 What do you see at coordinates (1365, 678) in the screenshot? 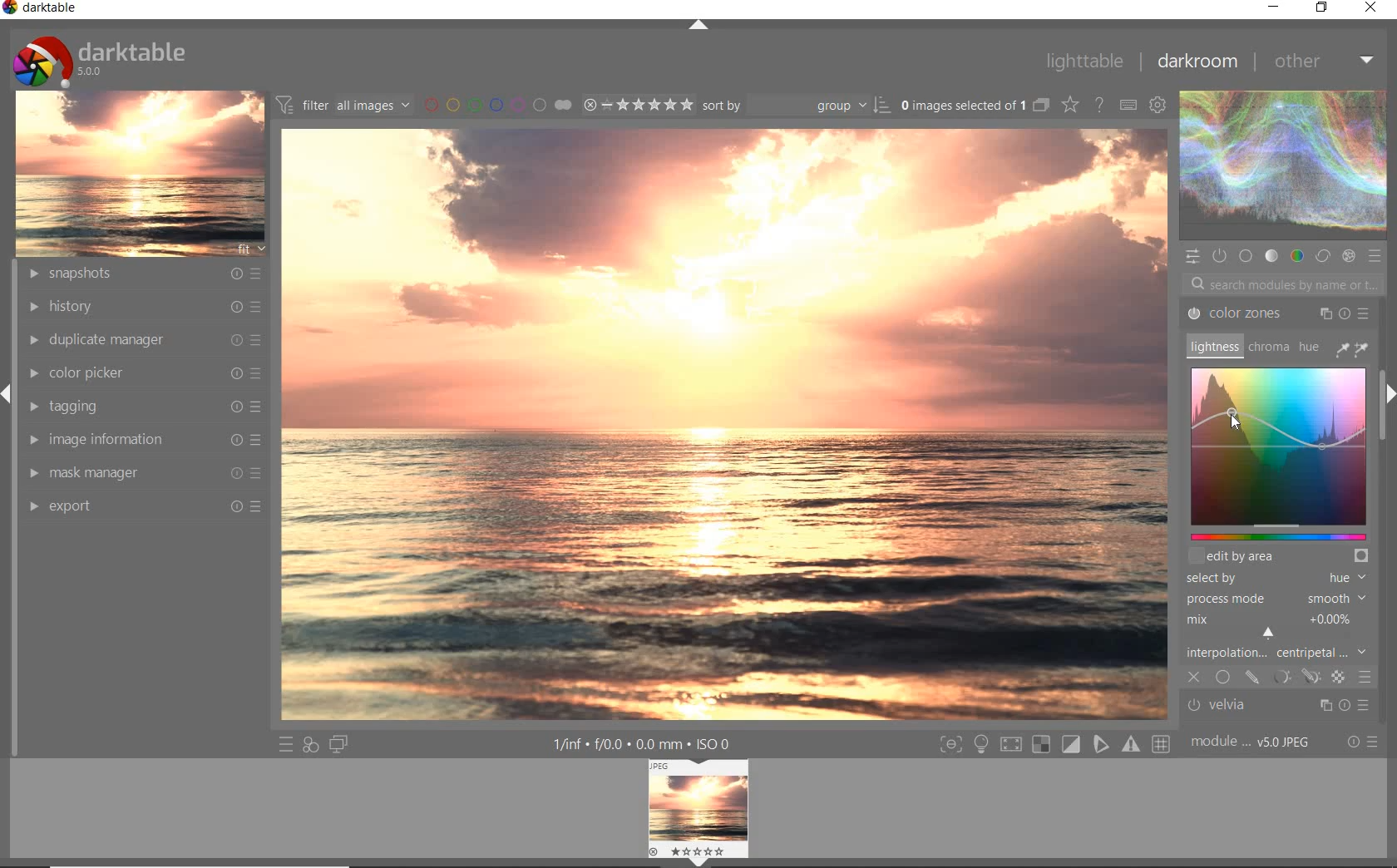
I see `BLENDING OPTIONS` at bounding box center [1365, 678].